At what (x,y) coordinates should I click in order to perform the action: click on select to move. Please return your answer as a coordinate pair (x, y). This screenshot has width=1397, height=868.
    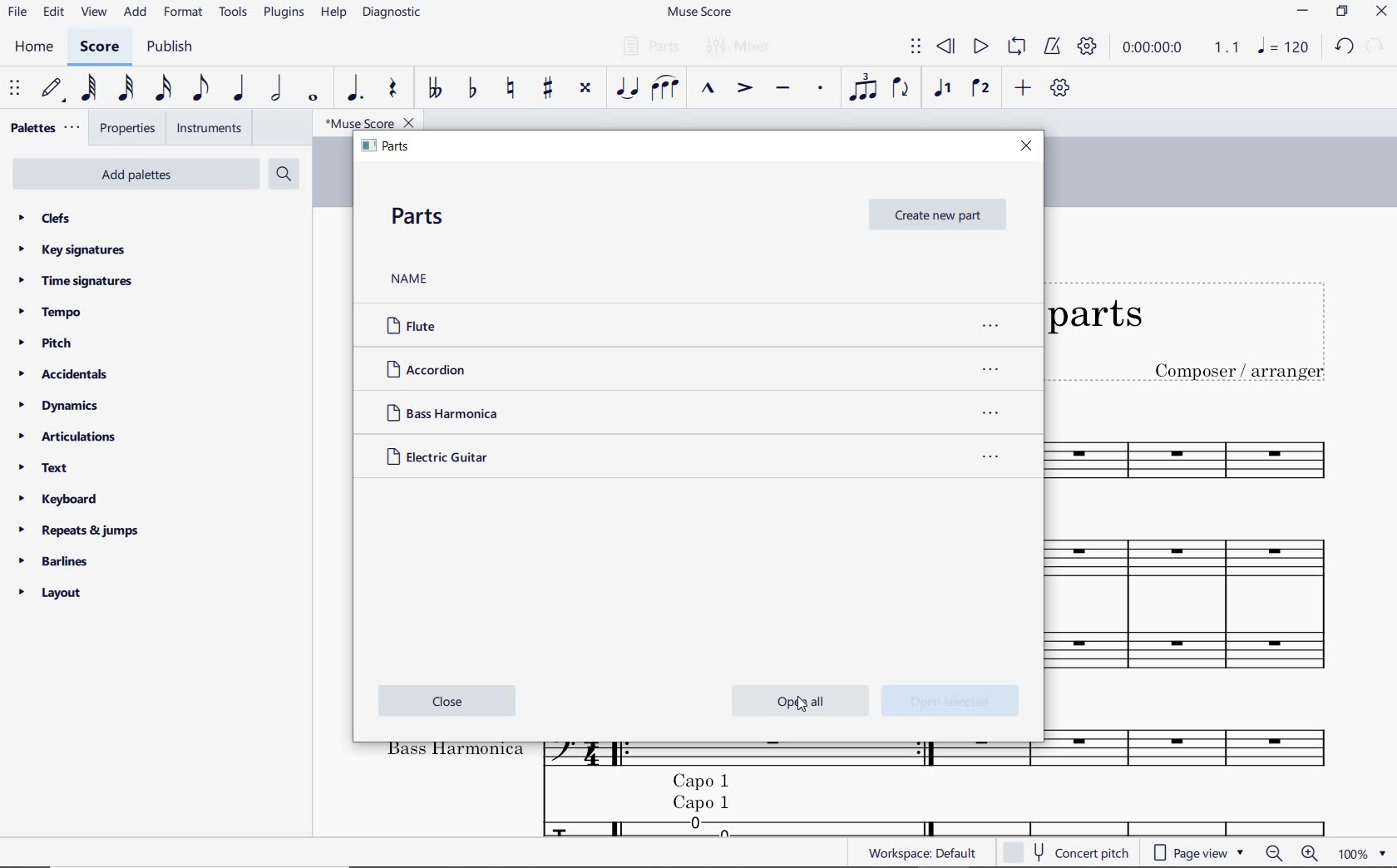
    Looking at the image, I should click on (13, 87).